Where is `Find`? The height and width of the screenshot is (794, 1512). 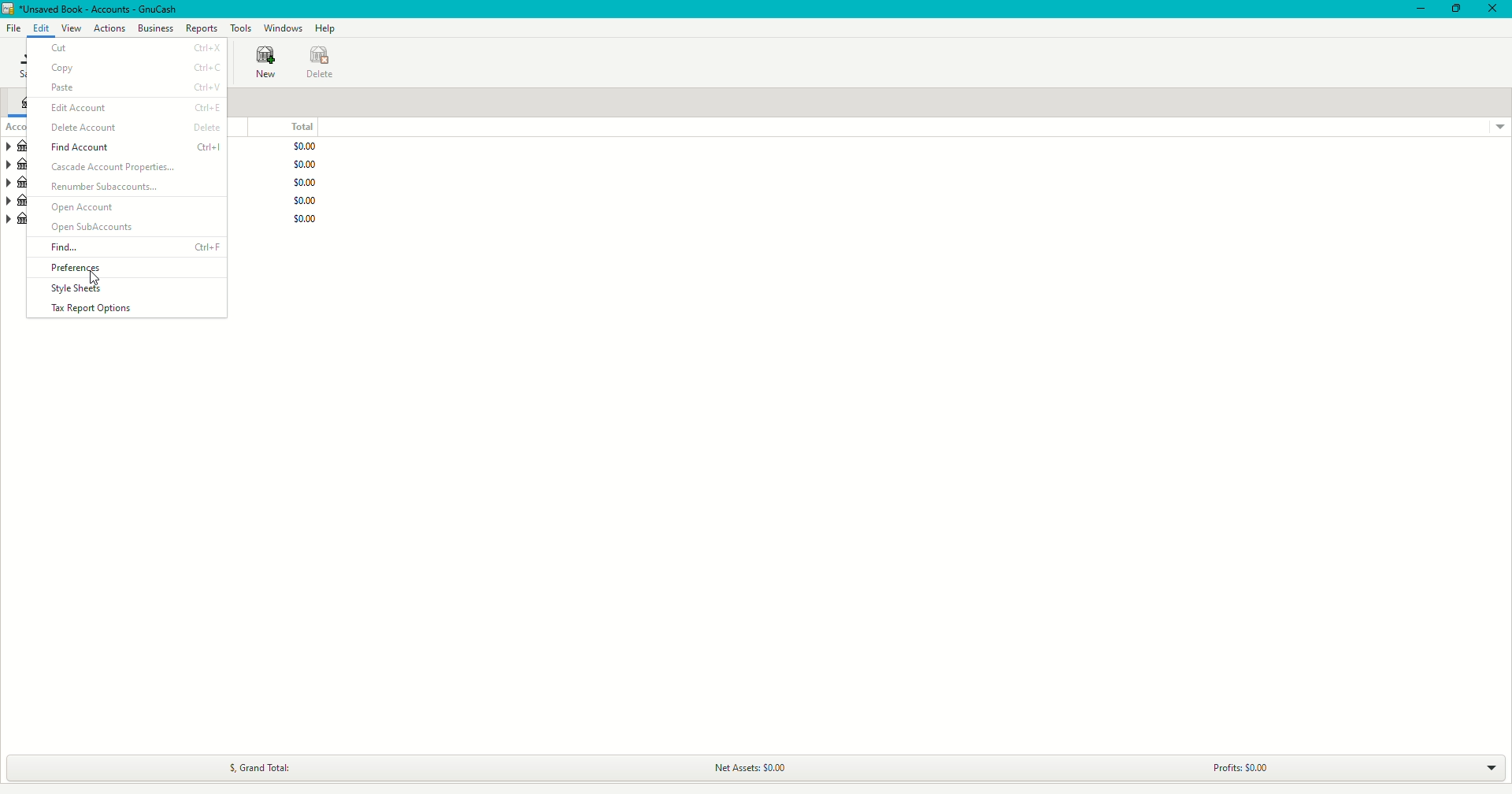
Find is located at coordinates (128, 247).